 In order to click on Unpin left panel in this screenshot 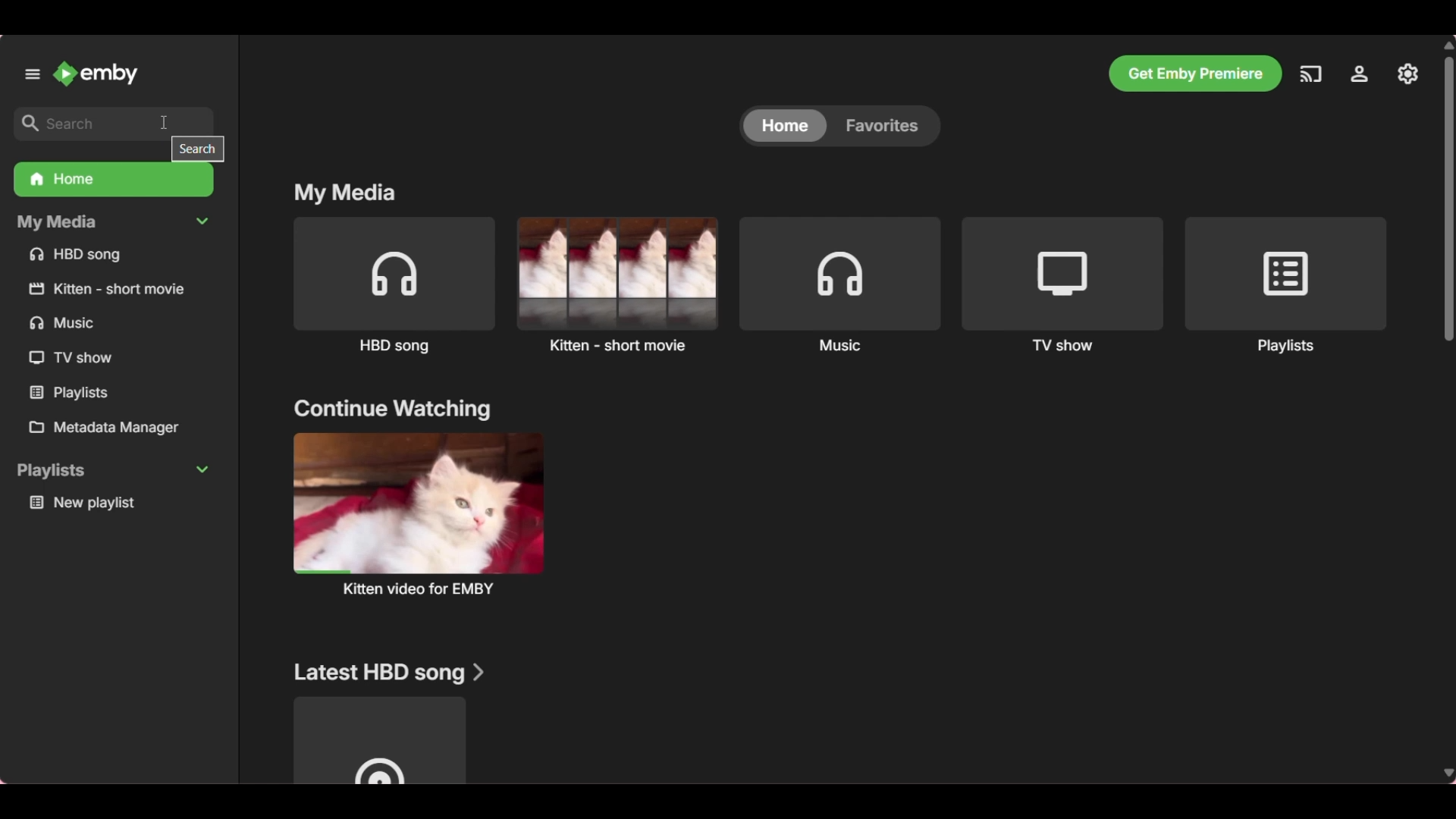, I will do `click(31, 74)`.